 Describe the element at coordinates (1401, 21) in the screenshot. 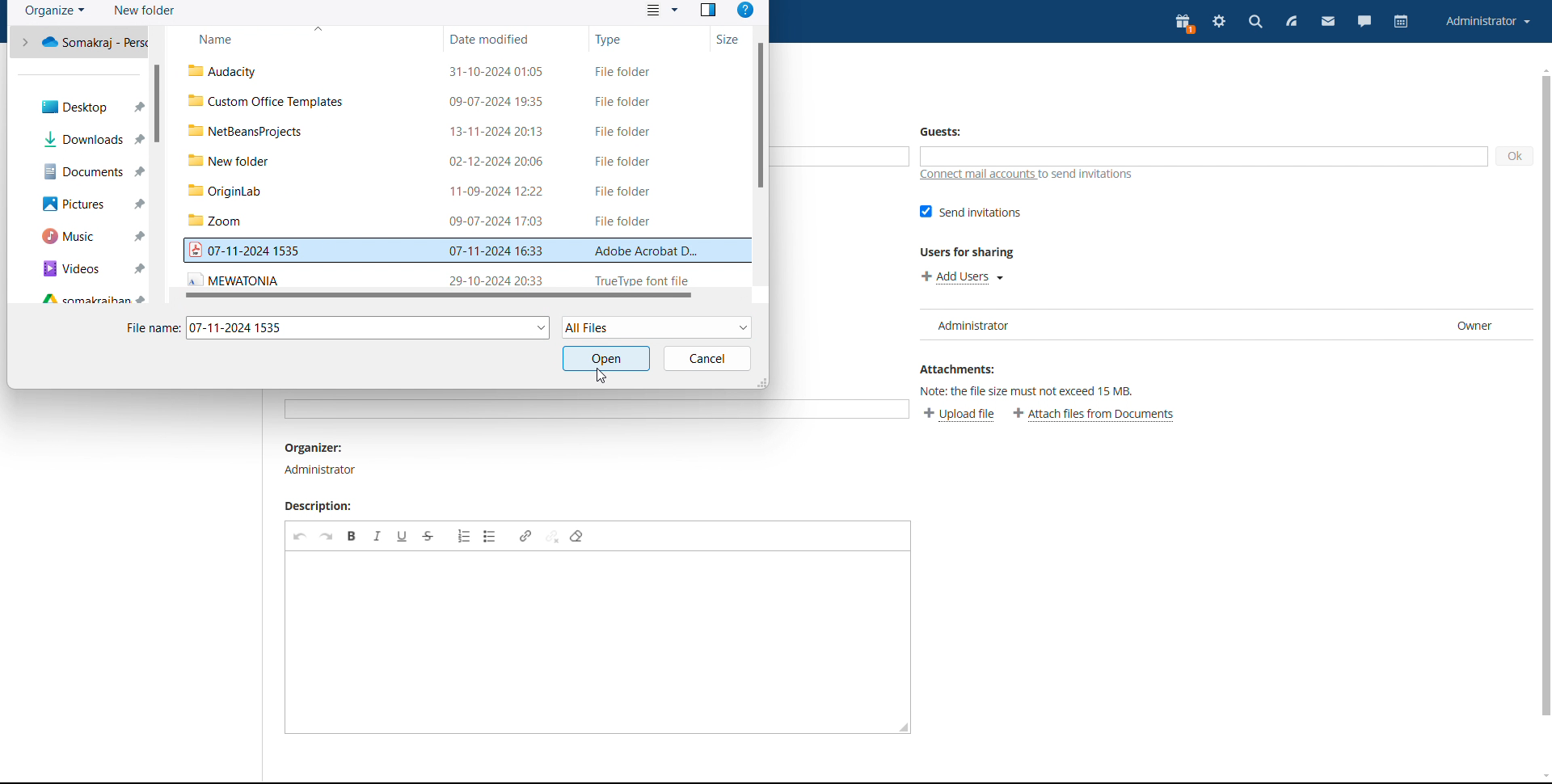

I see `calendar` at that location.